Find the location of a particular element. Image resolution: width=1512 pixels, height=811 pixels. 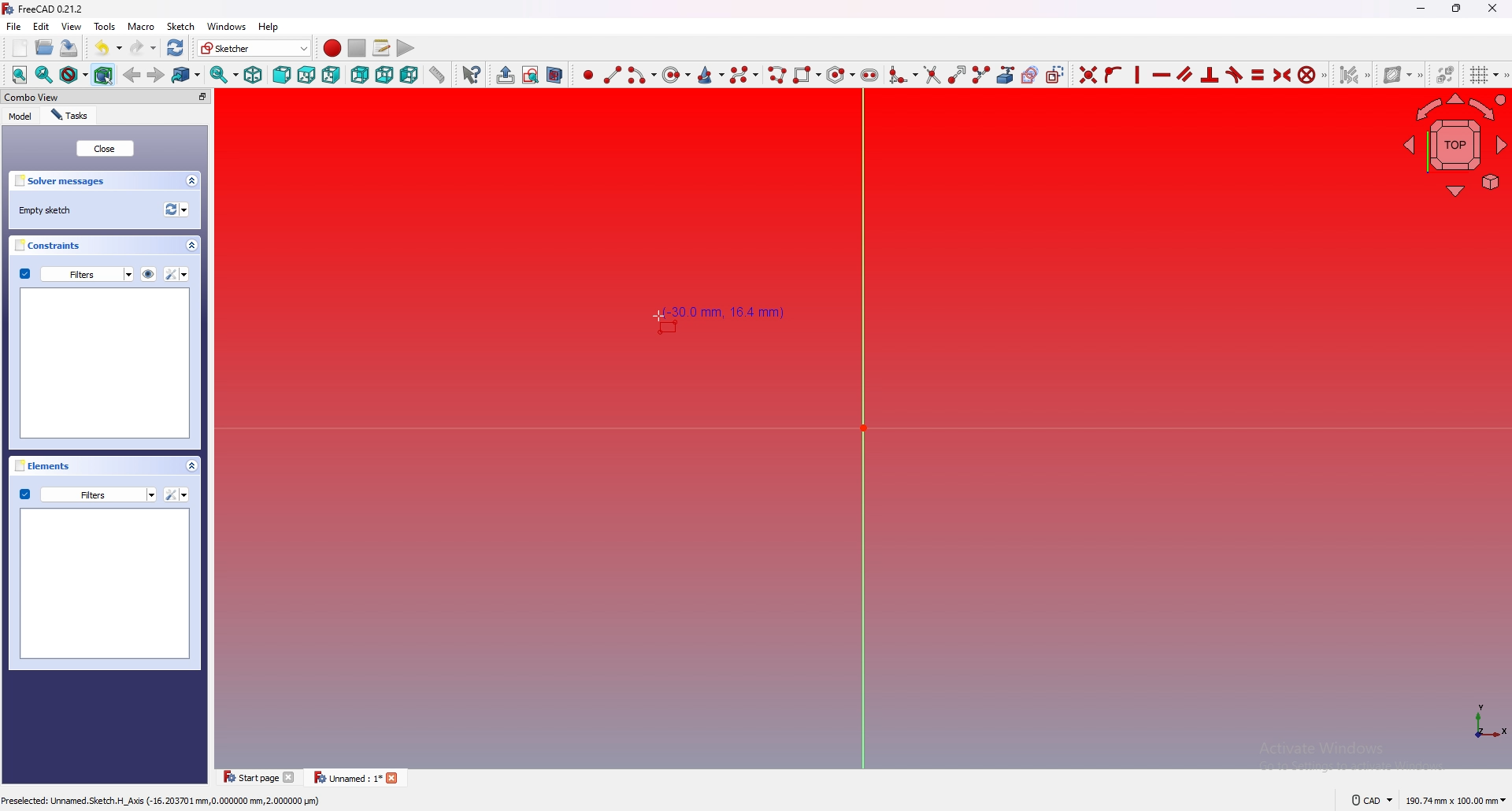

extend edge is located at coordinates (958, 75).